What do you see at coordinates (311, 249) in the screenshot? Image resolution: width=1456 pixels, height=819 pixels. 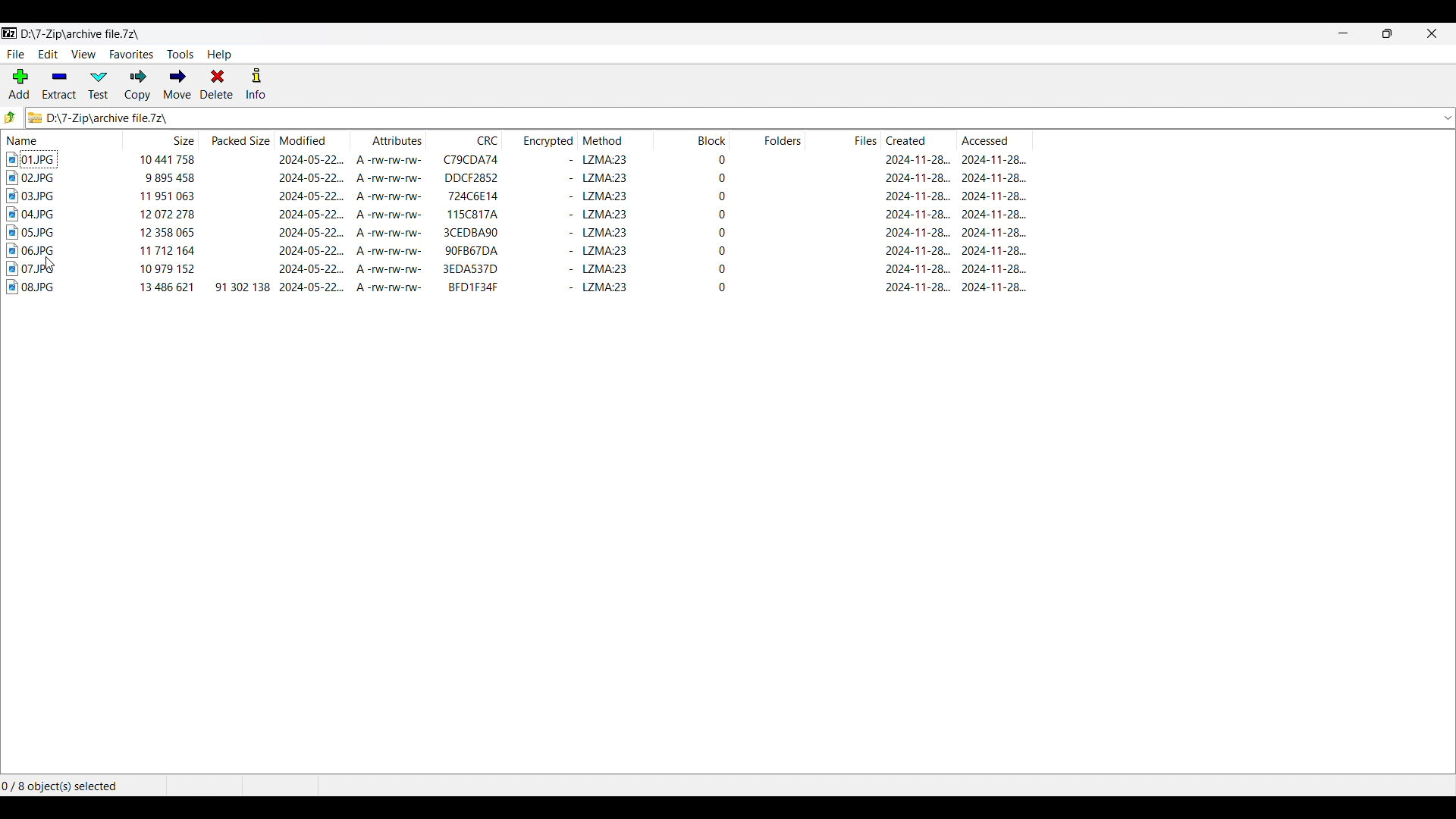 I see `modified date & time` at bounding box center [311, 249].